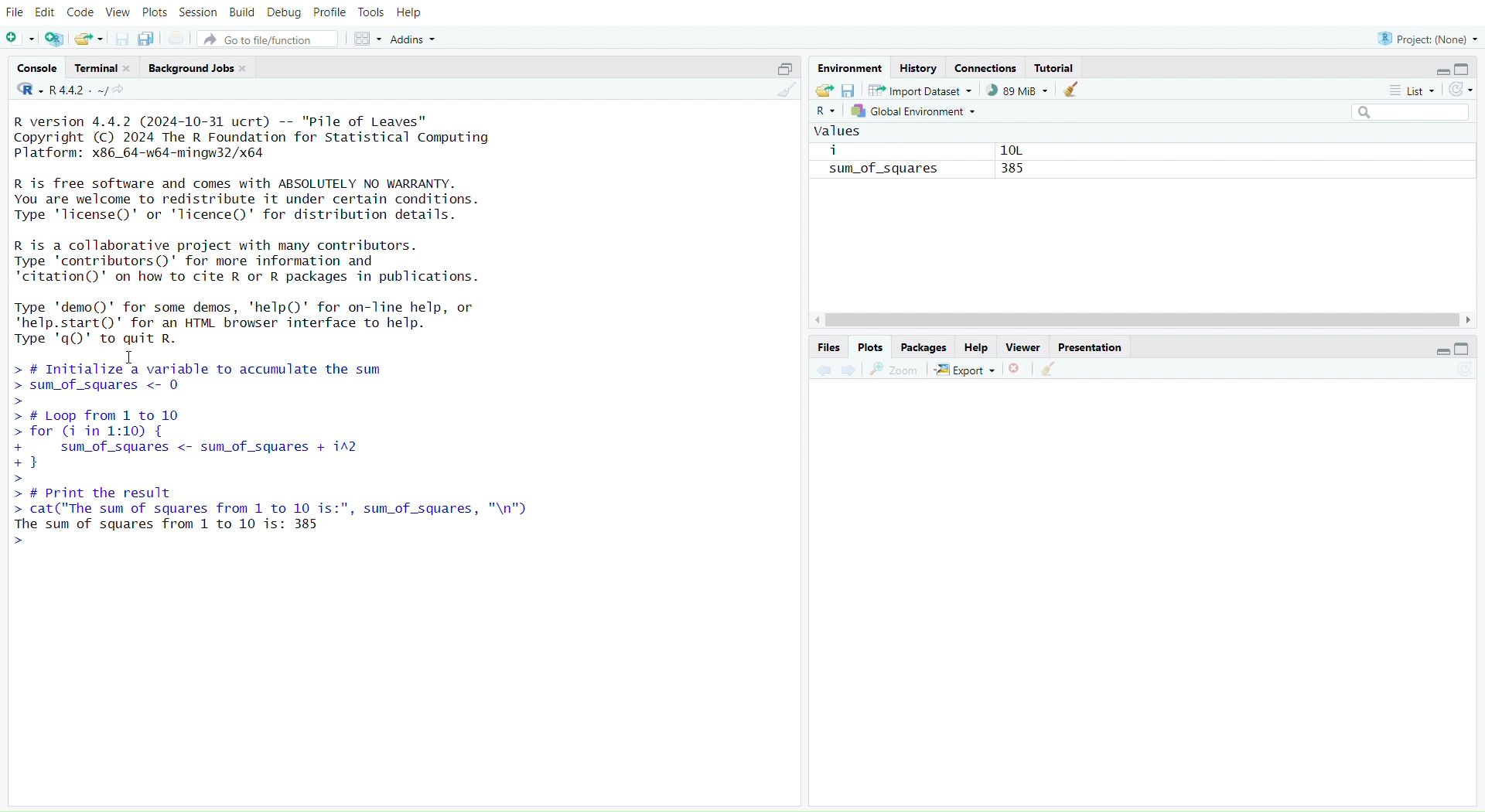  What do you see at coordinates (100, 410) in the screenshot?
I see `# Loop from 1 to 10` at bounding box center [100, 410].